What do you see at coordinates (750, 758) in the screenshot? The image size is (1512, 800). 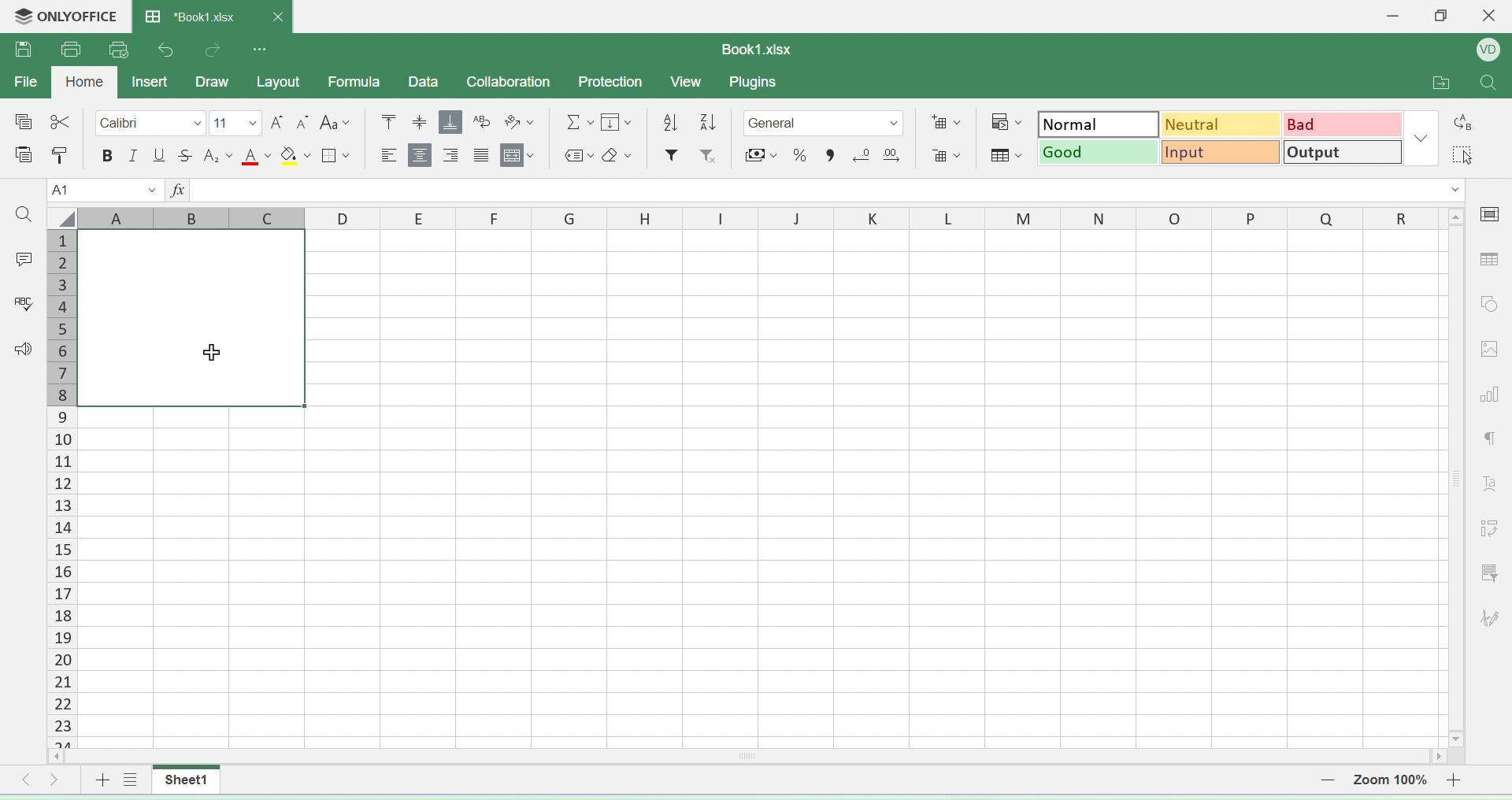 I see `horizontal scroll bar` at bounding box center [750, 758].